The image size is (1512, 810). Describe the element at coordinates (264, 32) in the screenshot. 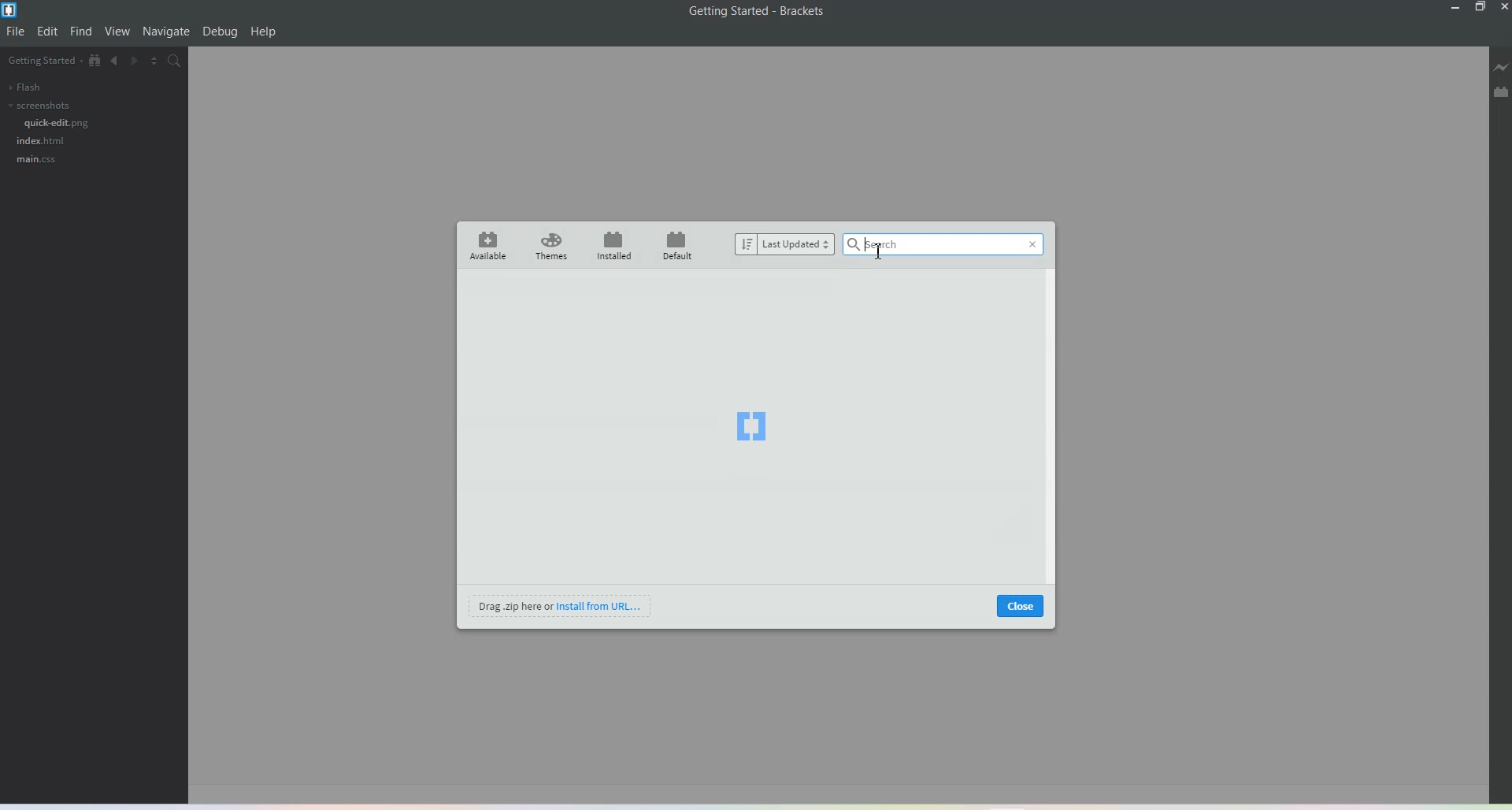

I see `Help` at that location.